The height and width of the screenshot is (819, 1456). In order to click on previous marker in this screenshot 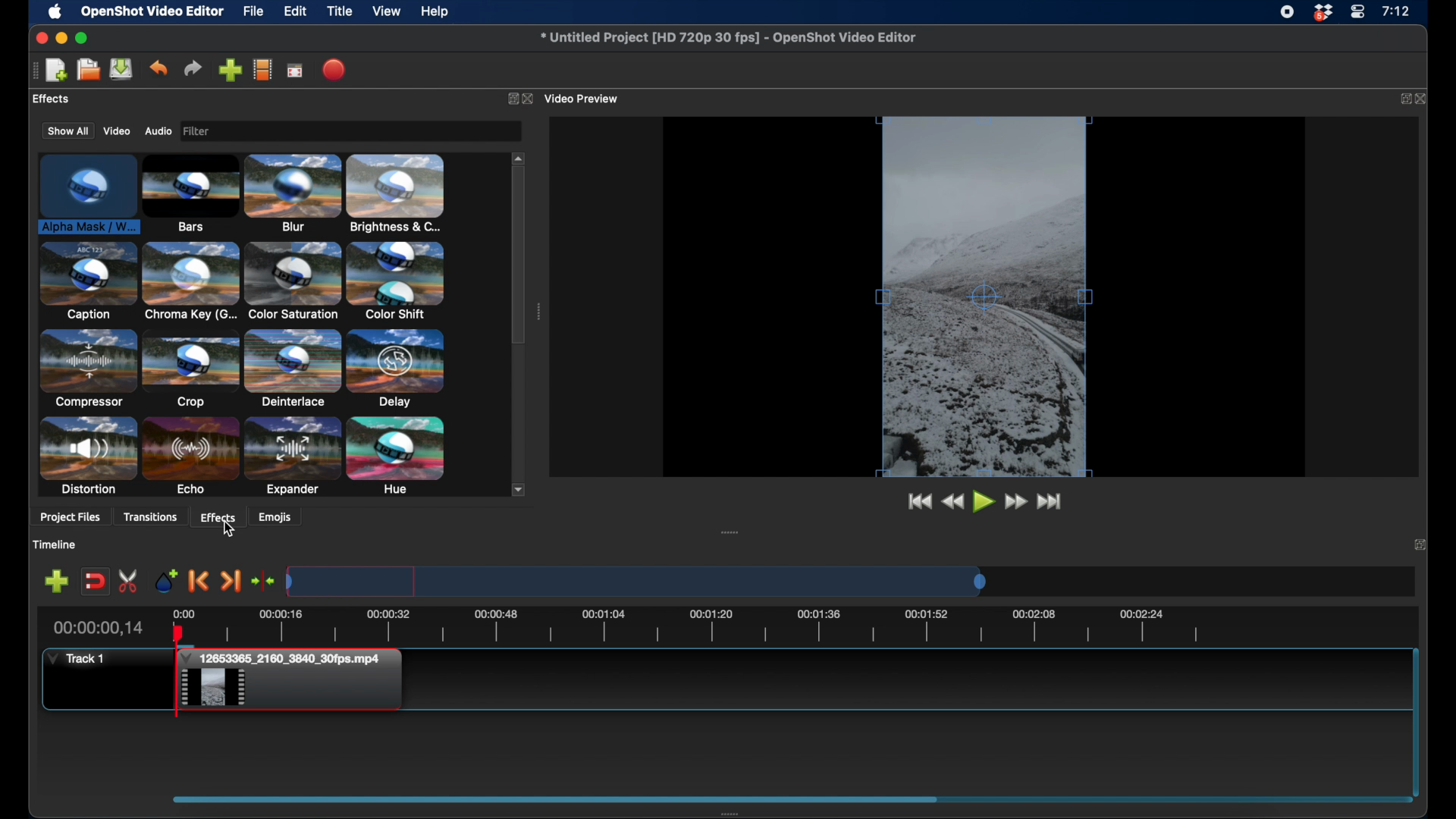, I will do `click(199, 581)`.